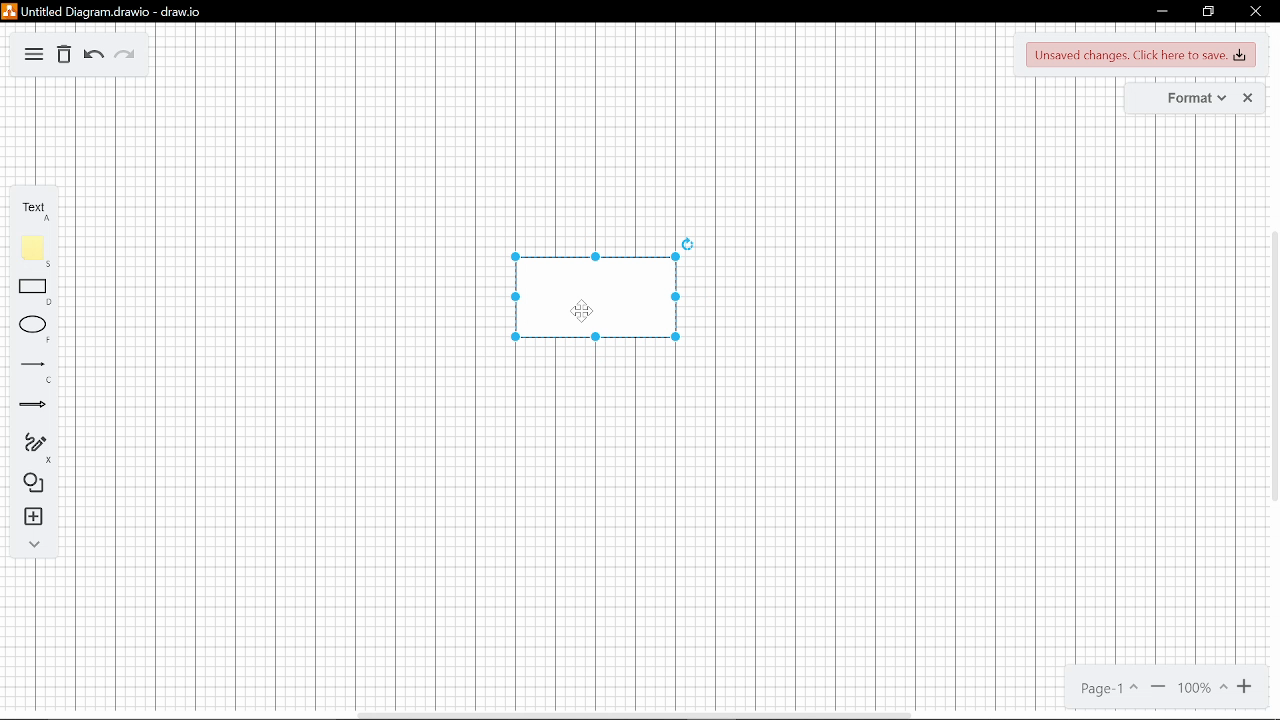 Image resolution: width=1280 pixels, height=720 pixels. I want to click on shapes, so click(31, 483).